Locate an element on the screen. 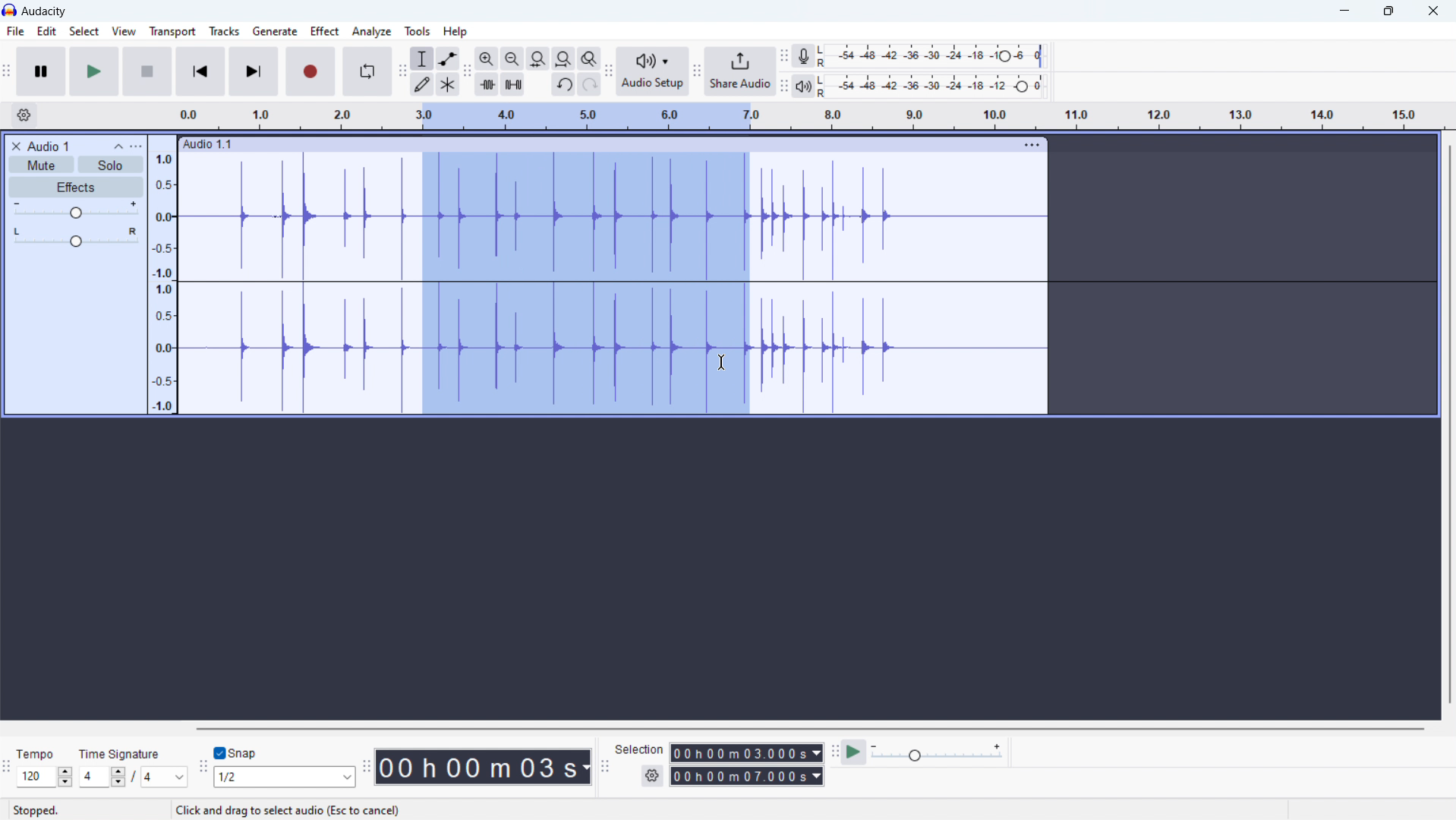 Image resolution: width=1456 pixels, height=820 pixels. Selection is located at coordinates (641, 746).